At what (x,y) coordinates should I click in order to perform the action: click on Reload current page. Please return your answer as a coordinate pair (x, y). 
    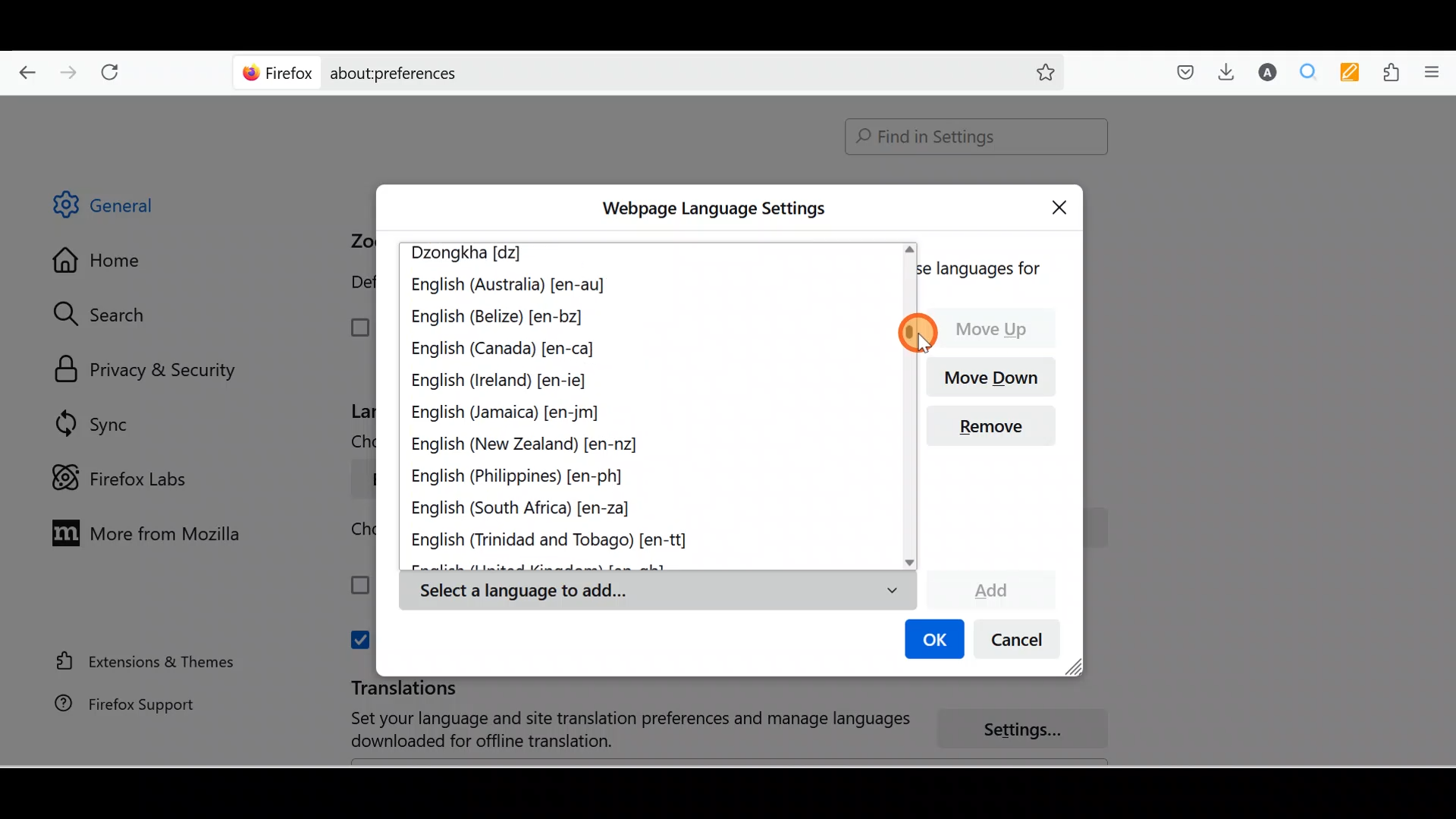
    Looking at the image, I should click on (115, 69).